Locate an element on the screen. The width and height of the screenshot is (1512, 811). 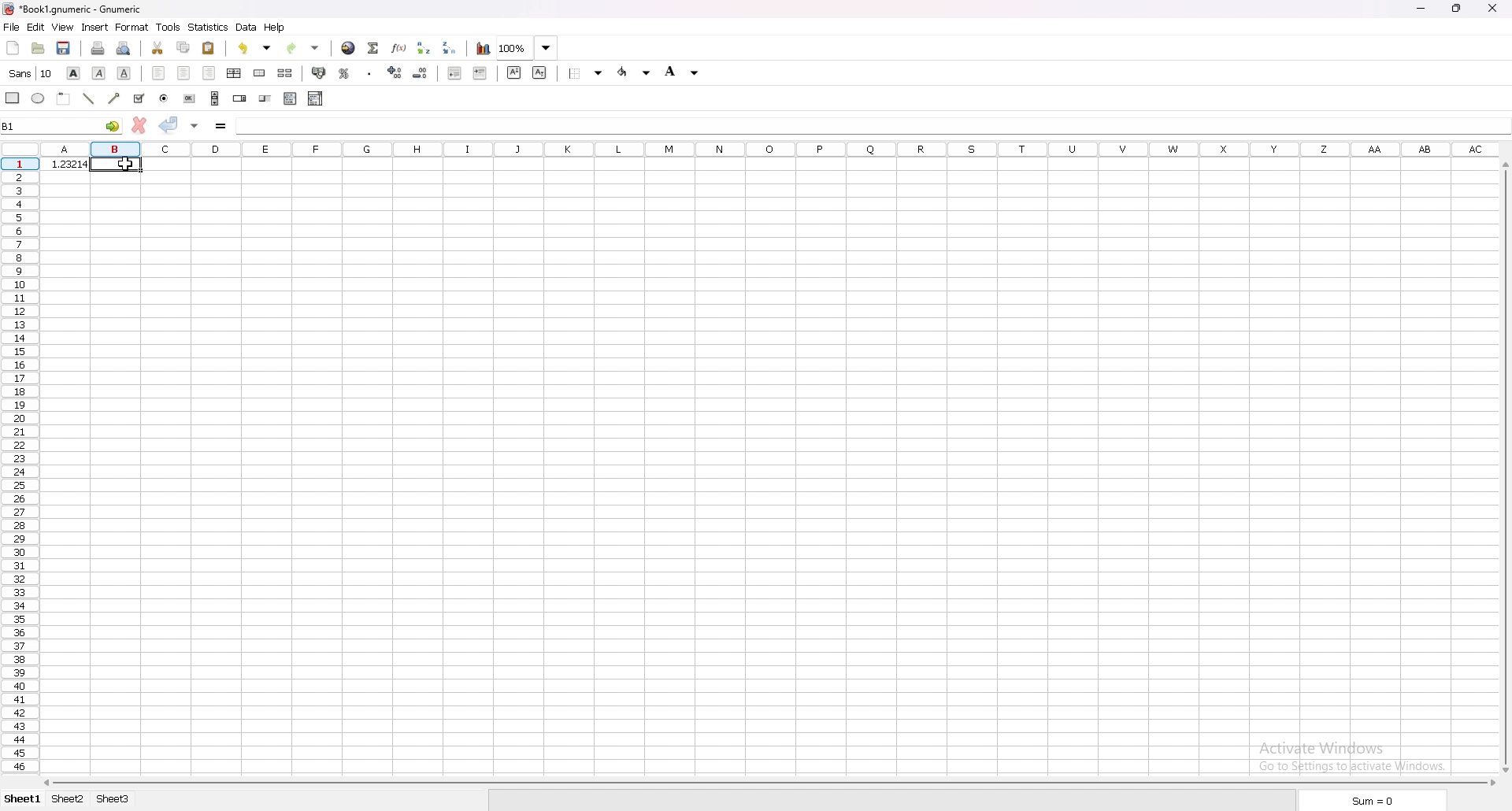
selected cell is located at coordinates (59, 126).